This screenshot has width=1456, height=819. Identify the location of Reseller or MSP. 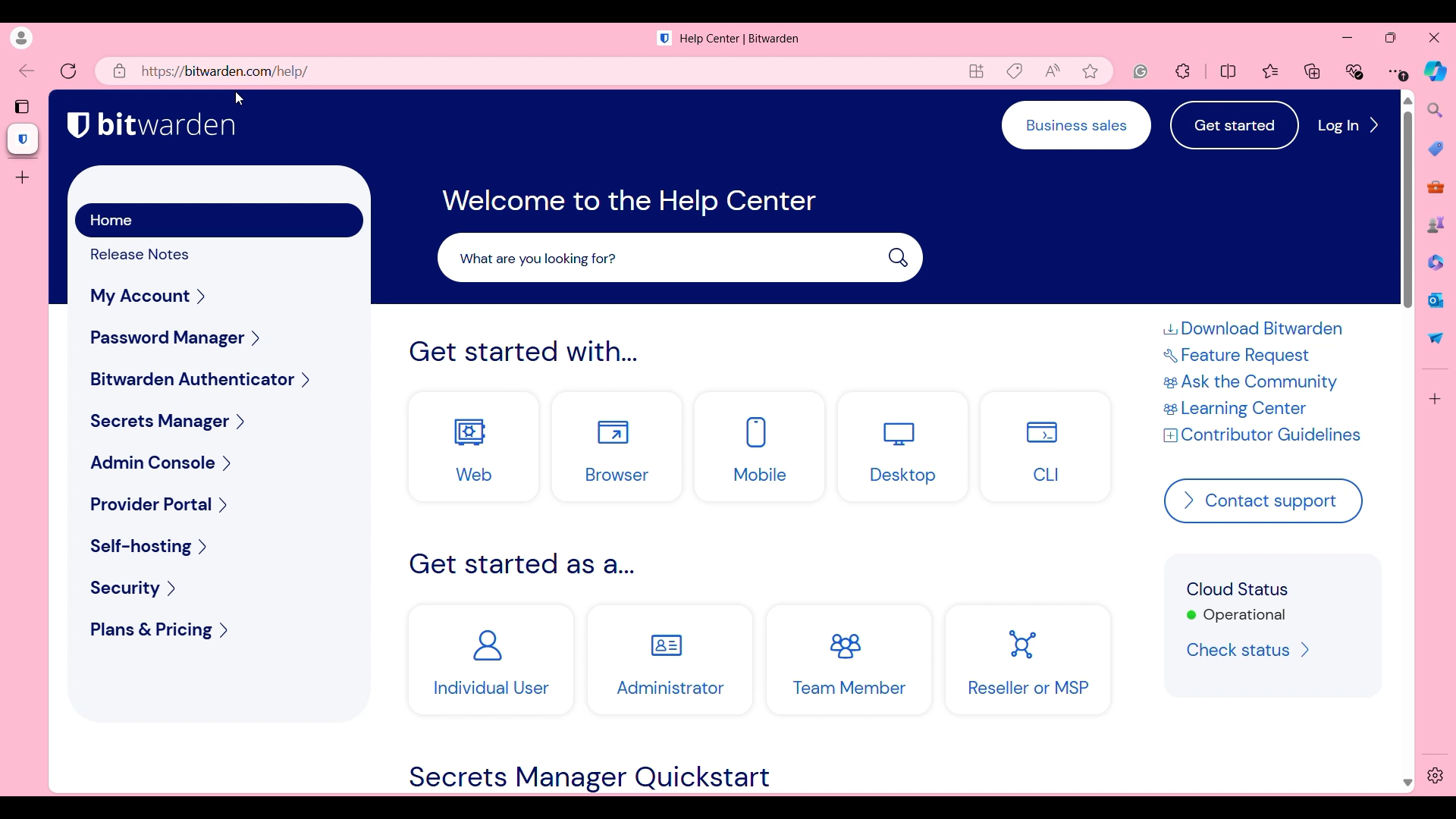
(1029, 660).